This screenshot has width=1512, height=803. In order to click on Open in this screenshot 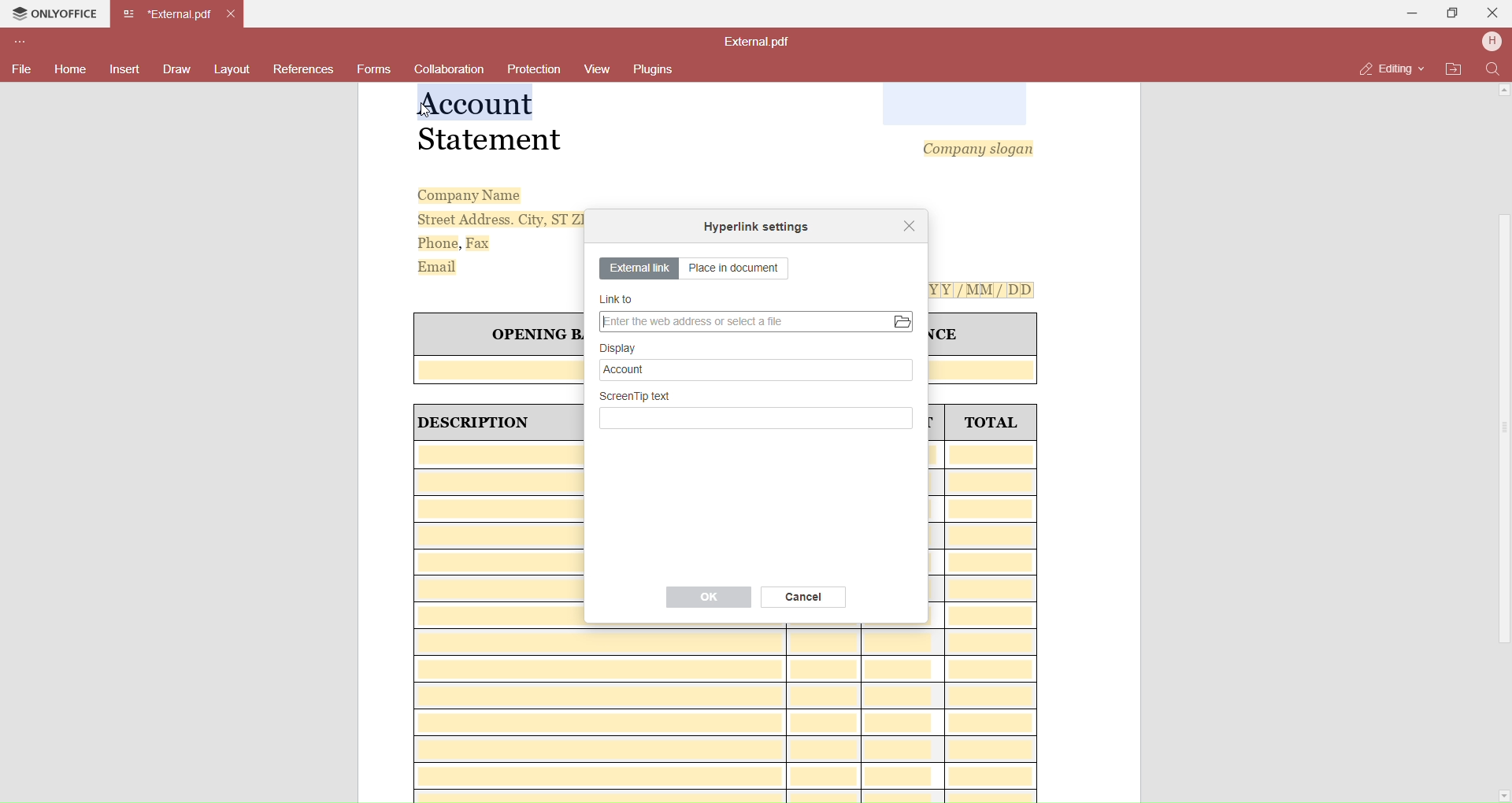, I will do `click(906, 320)`.